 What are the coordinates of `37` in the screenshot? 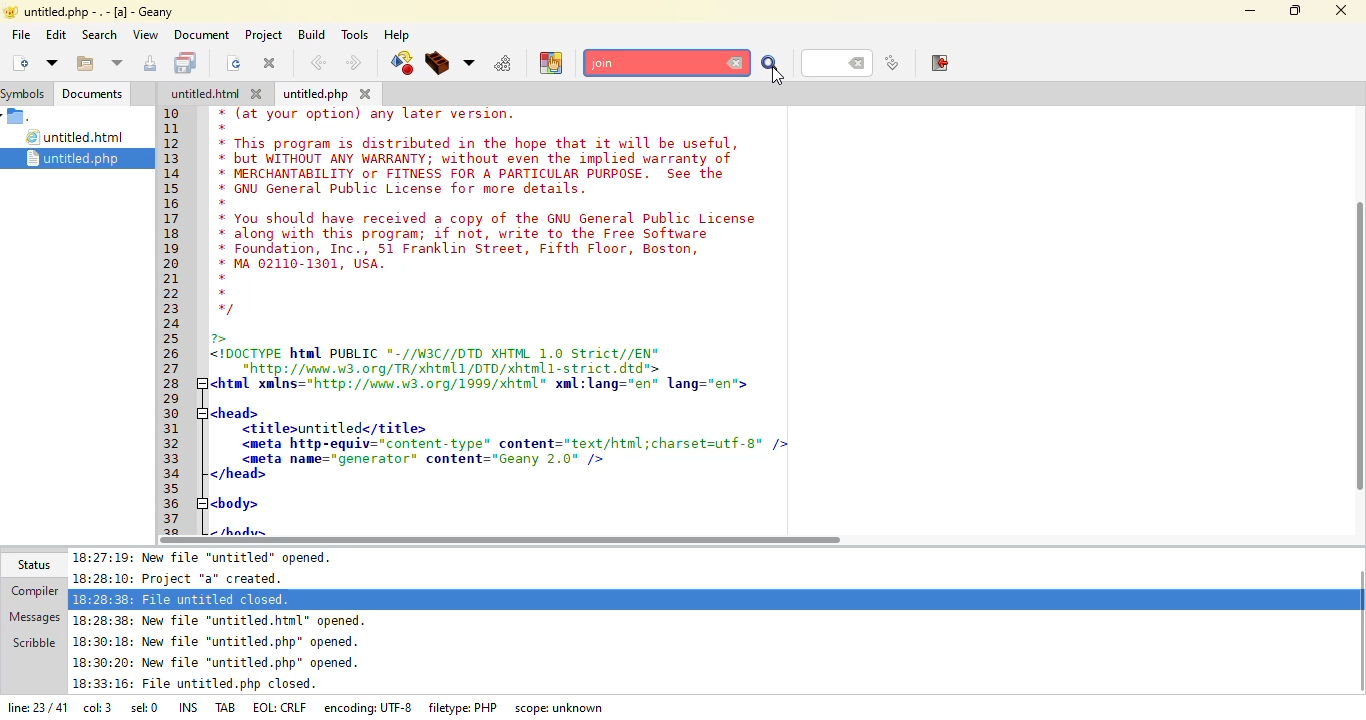 It's located at (174, 519).